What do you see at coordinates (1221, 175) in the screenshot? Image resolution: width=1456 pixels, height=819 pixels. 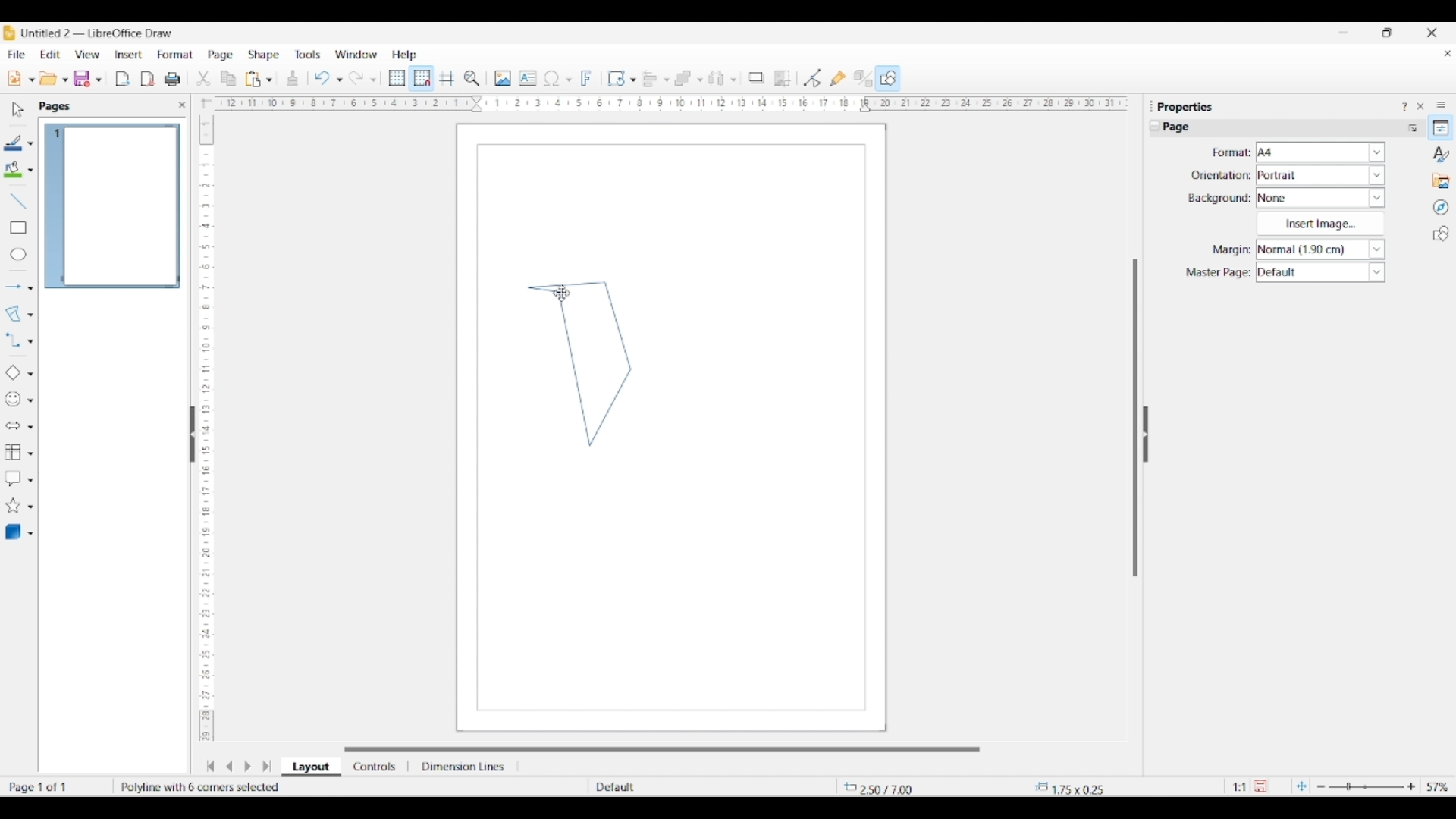 I see `Indicates orientation settings` at bounding box center [1221, 175].